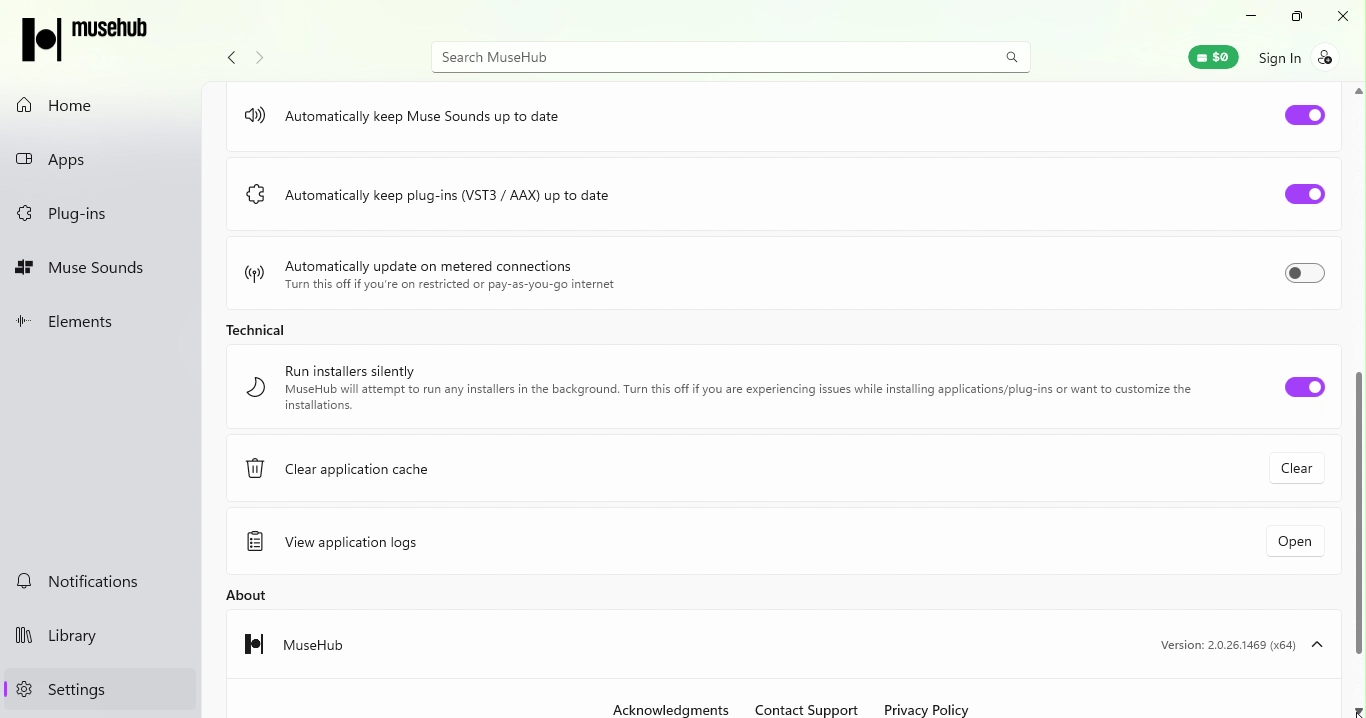  What do you see at coordinates (63, 216) in the screenshot?
I see `Plug-ins` at bounding box center [63, 216].